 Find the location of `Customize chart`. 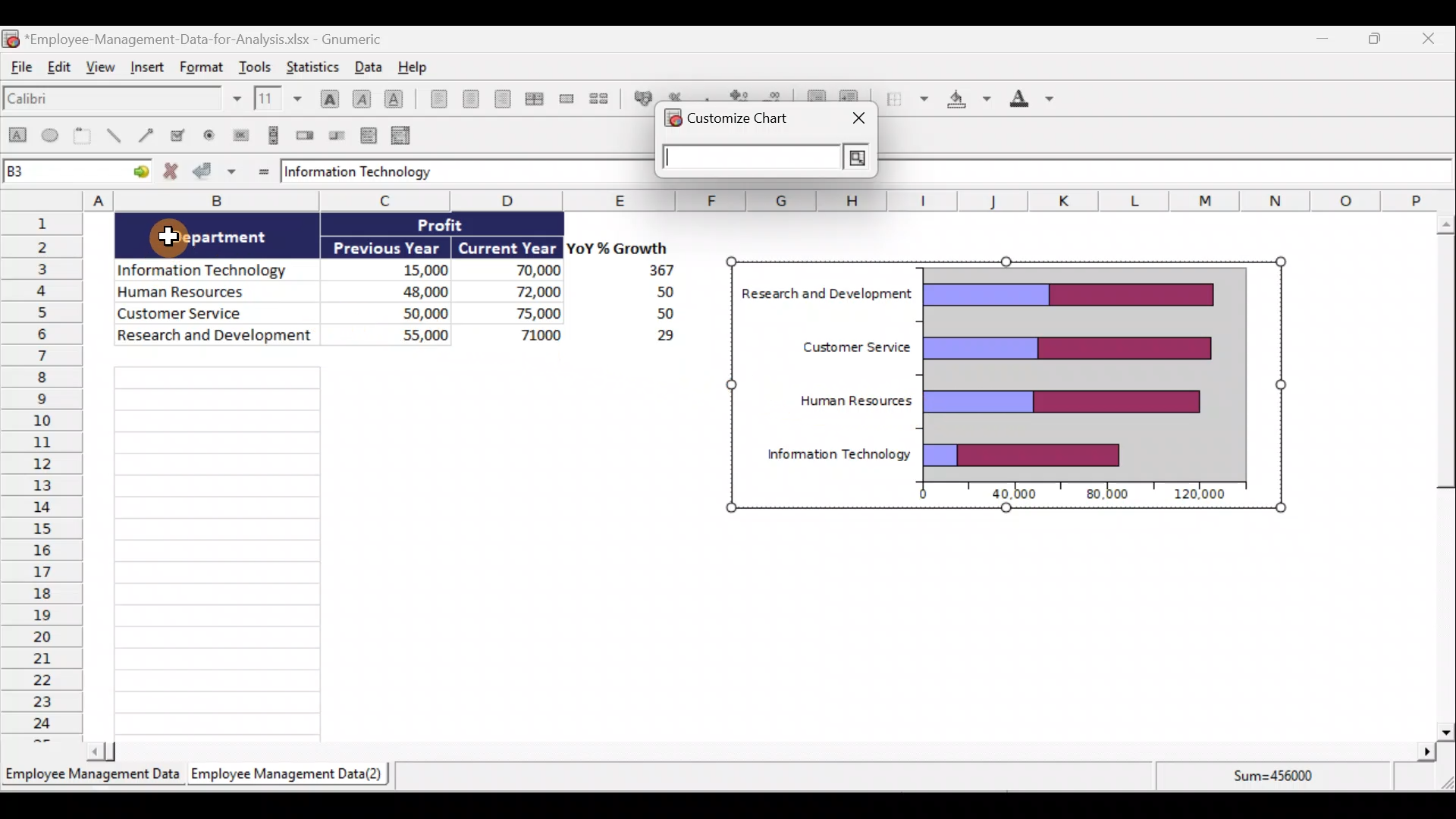

Customize chart is located at coordinates (742, 123).